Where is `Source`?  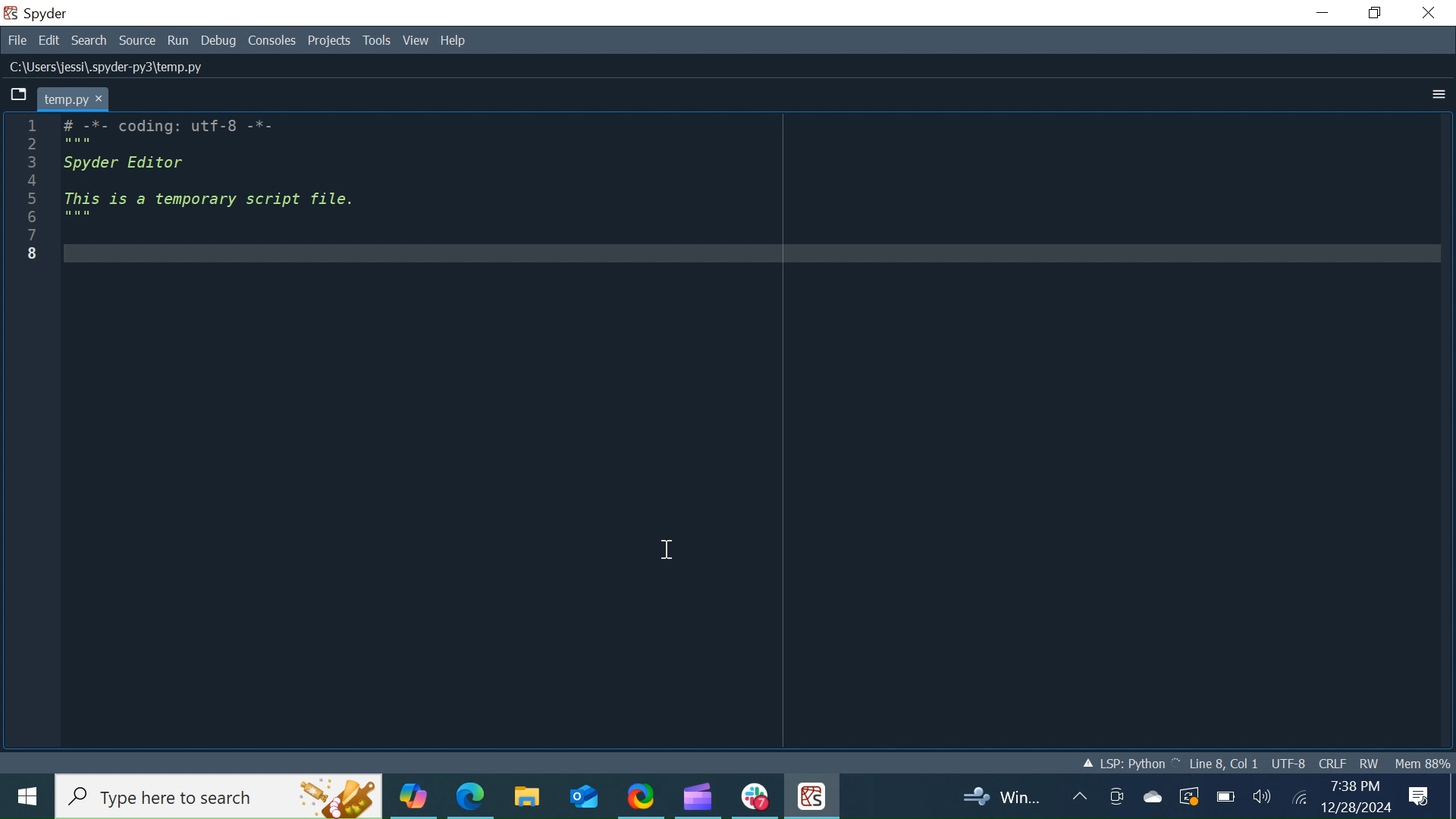
Source is located at coordinates (139, 42).